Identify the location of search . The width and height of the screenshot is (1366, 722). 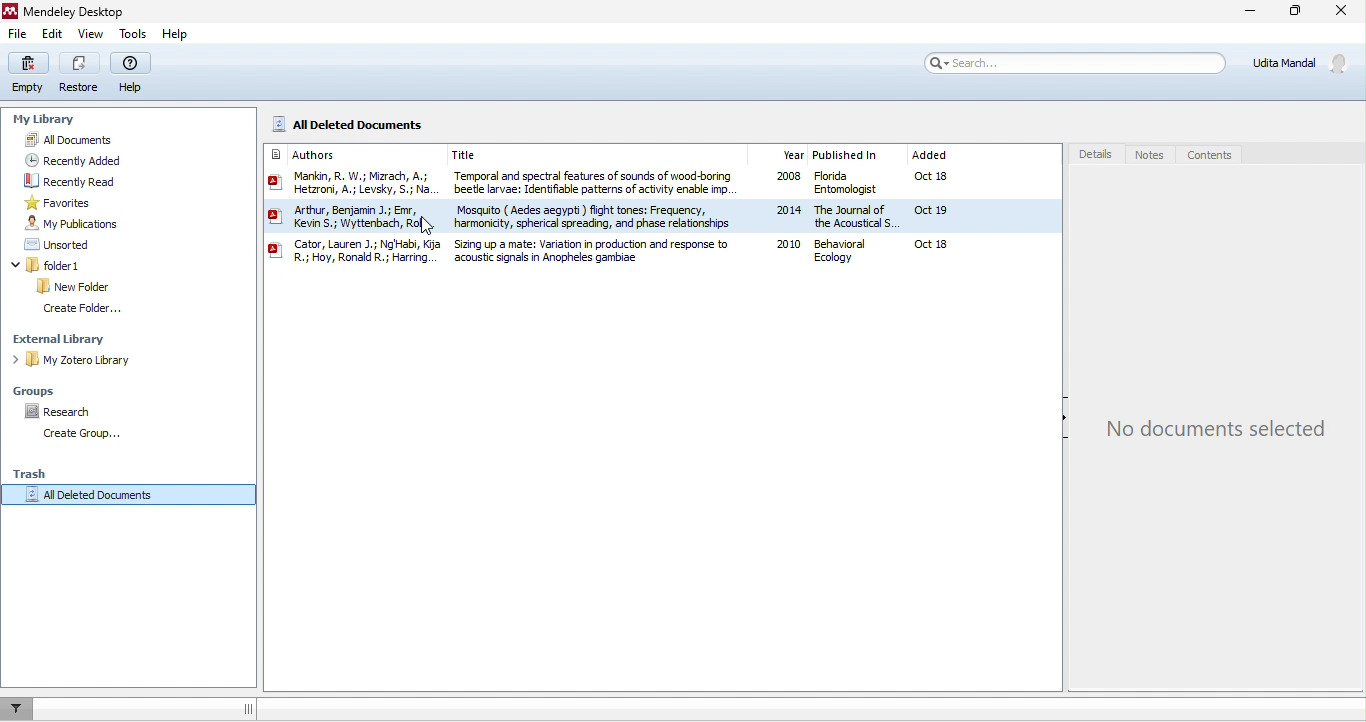
(1072, 62).